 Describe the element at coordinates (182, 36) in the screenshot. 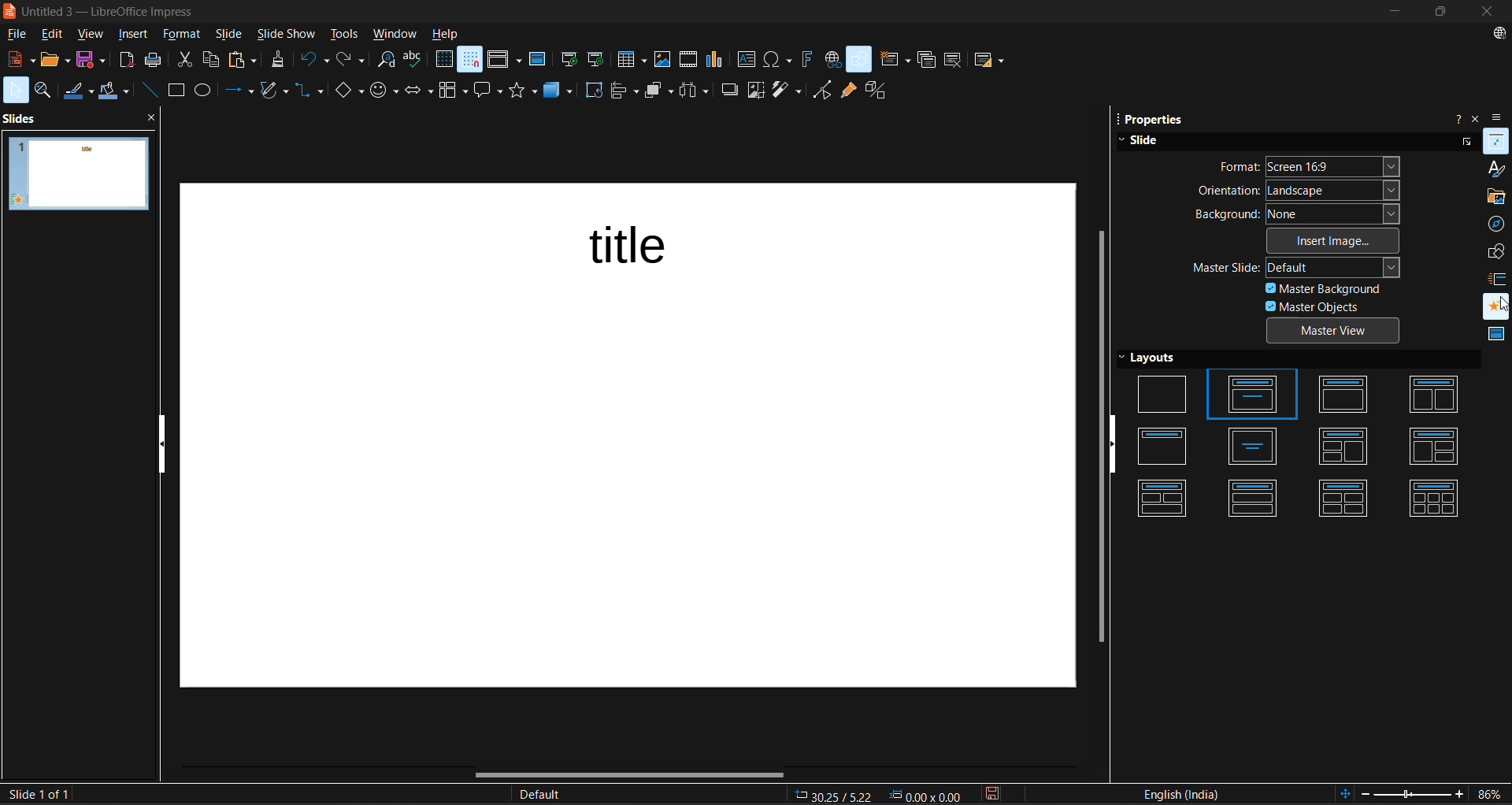

I see `format` at that location.